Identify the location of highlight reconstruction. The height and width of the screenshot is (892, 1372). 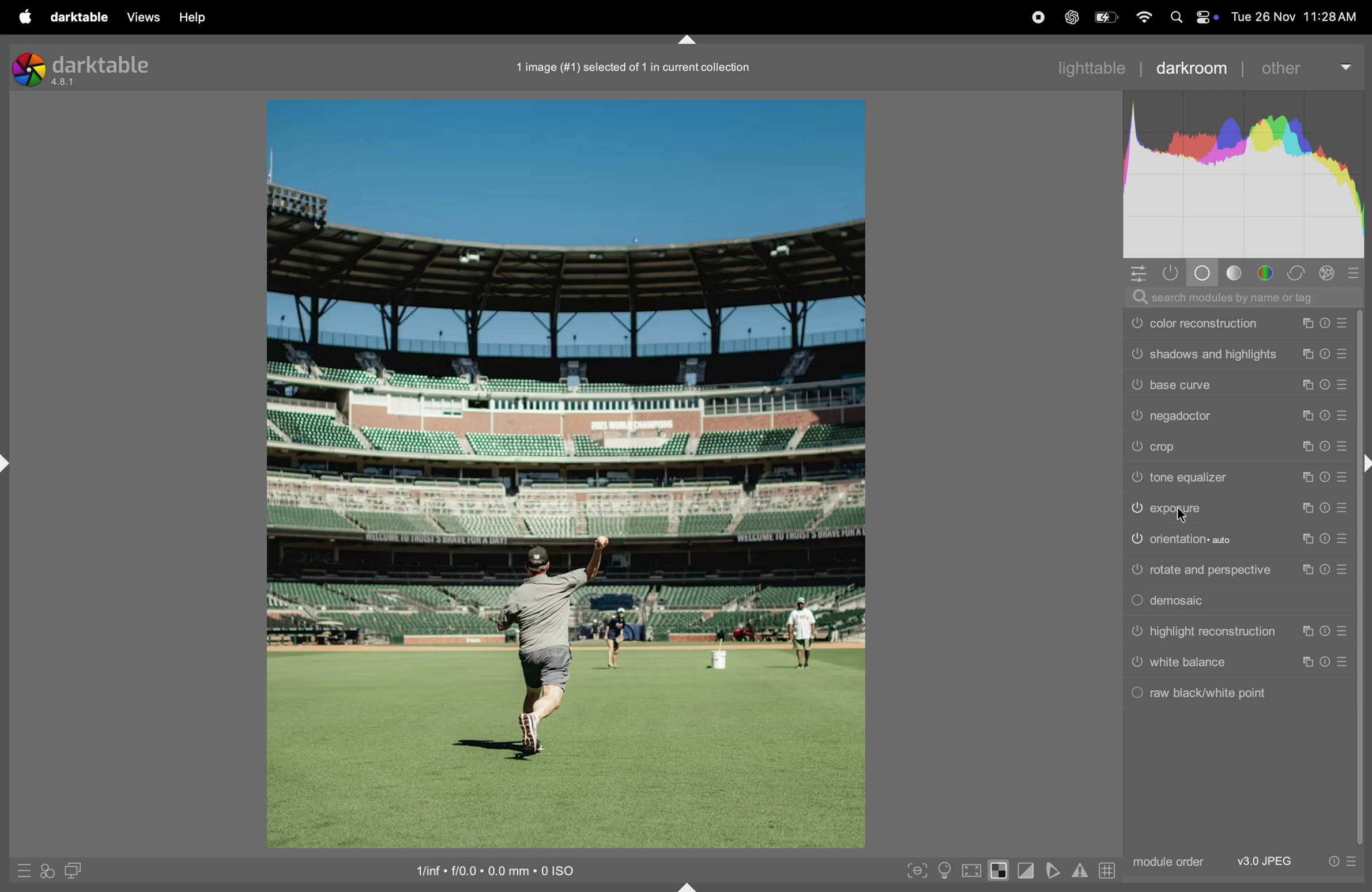
(1215, 632).